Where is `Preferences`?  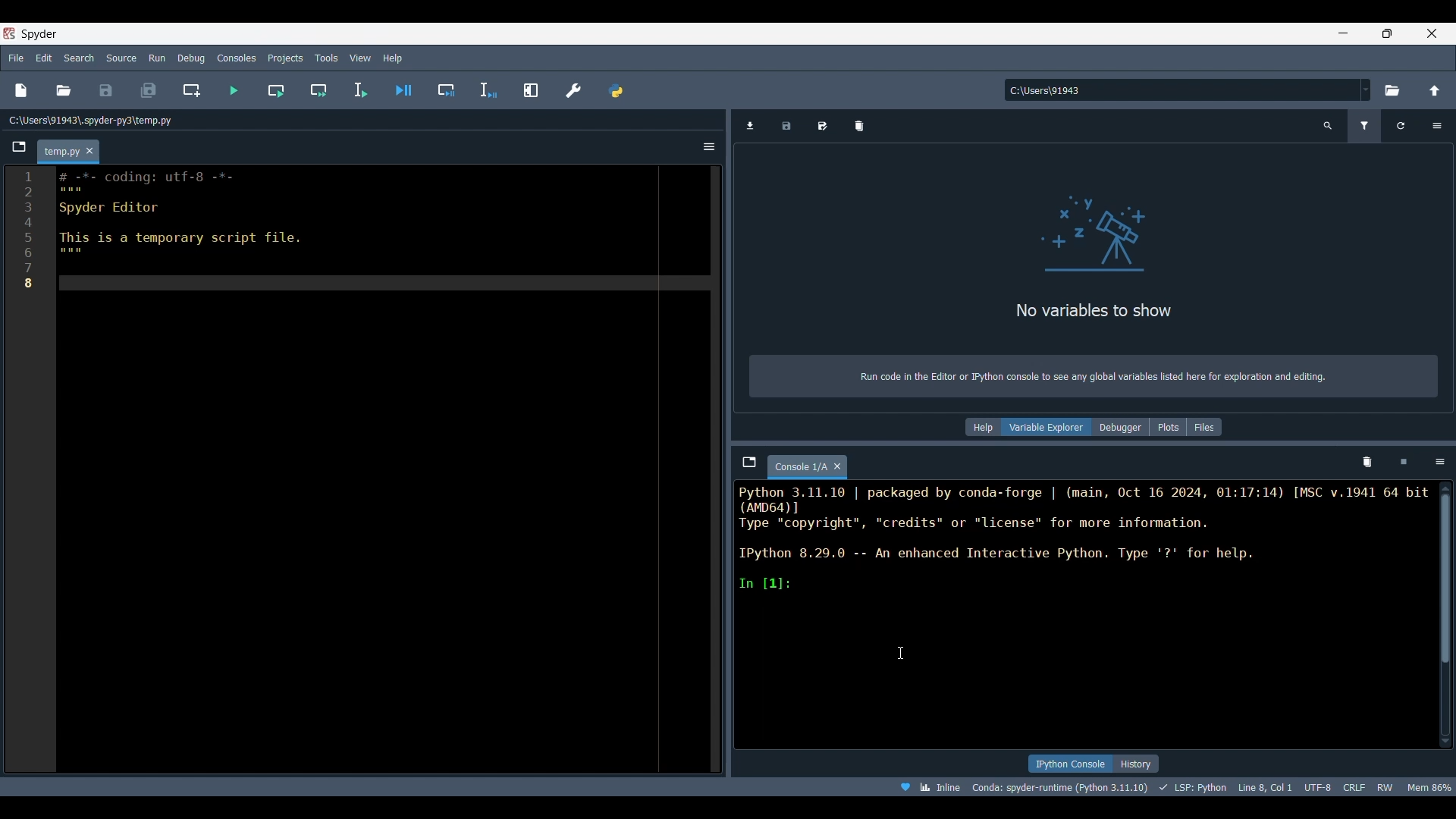
Preferences is located at coordinates (574, 90).